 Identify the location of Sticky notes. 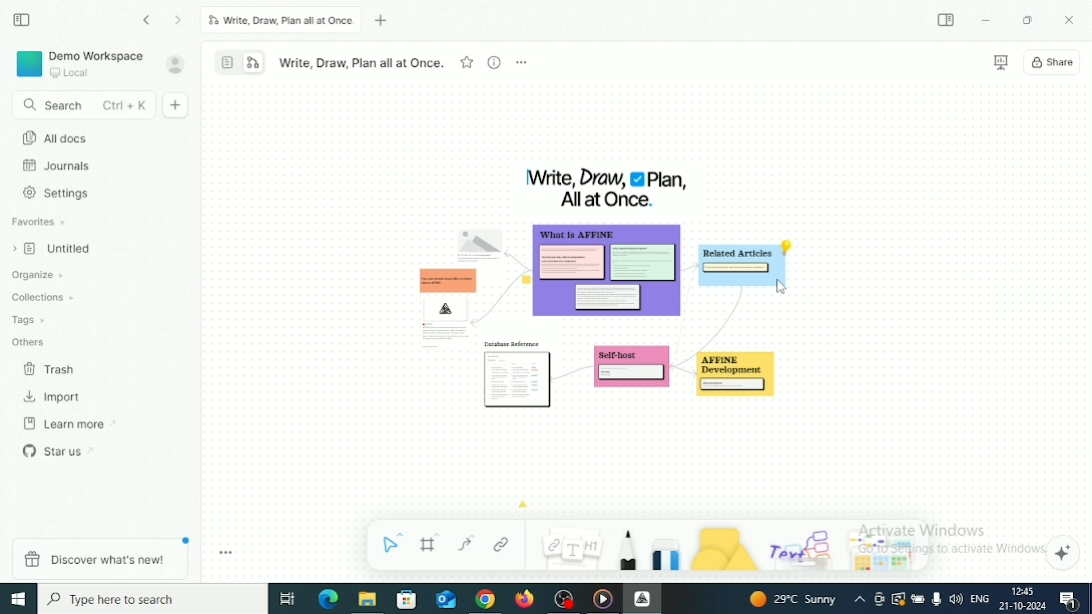
(742, 265).